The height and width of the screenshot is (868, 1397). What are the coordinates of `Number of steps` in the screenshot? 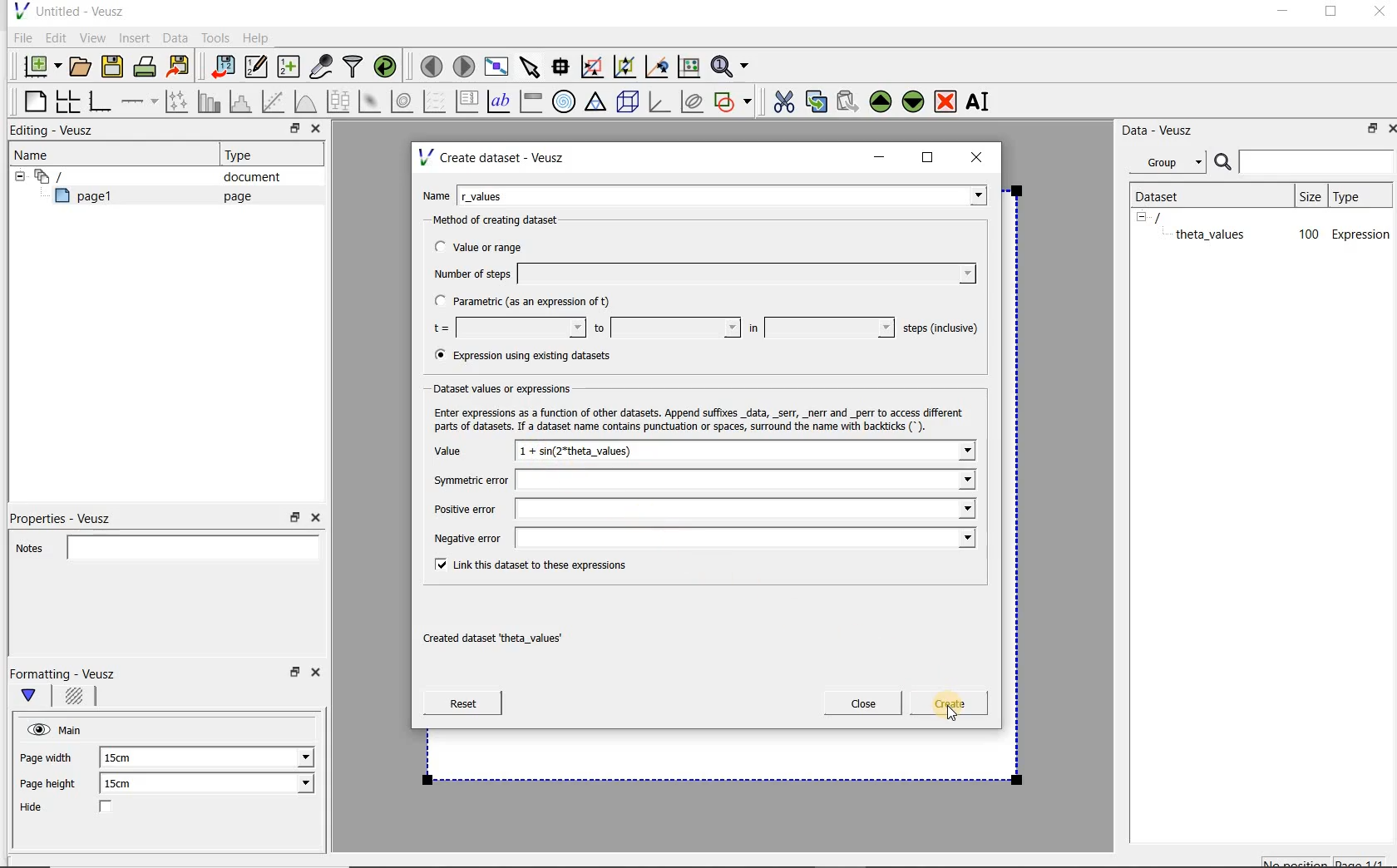 It's located at (699, 274).